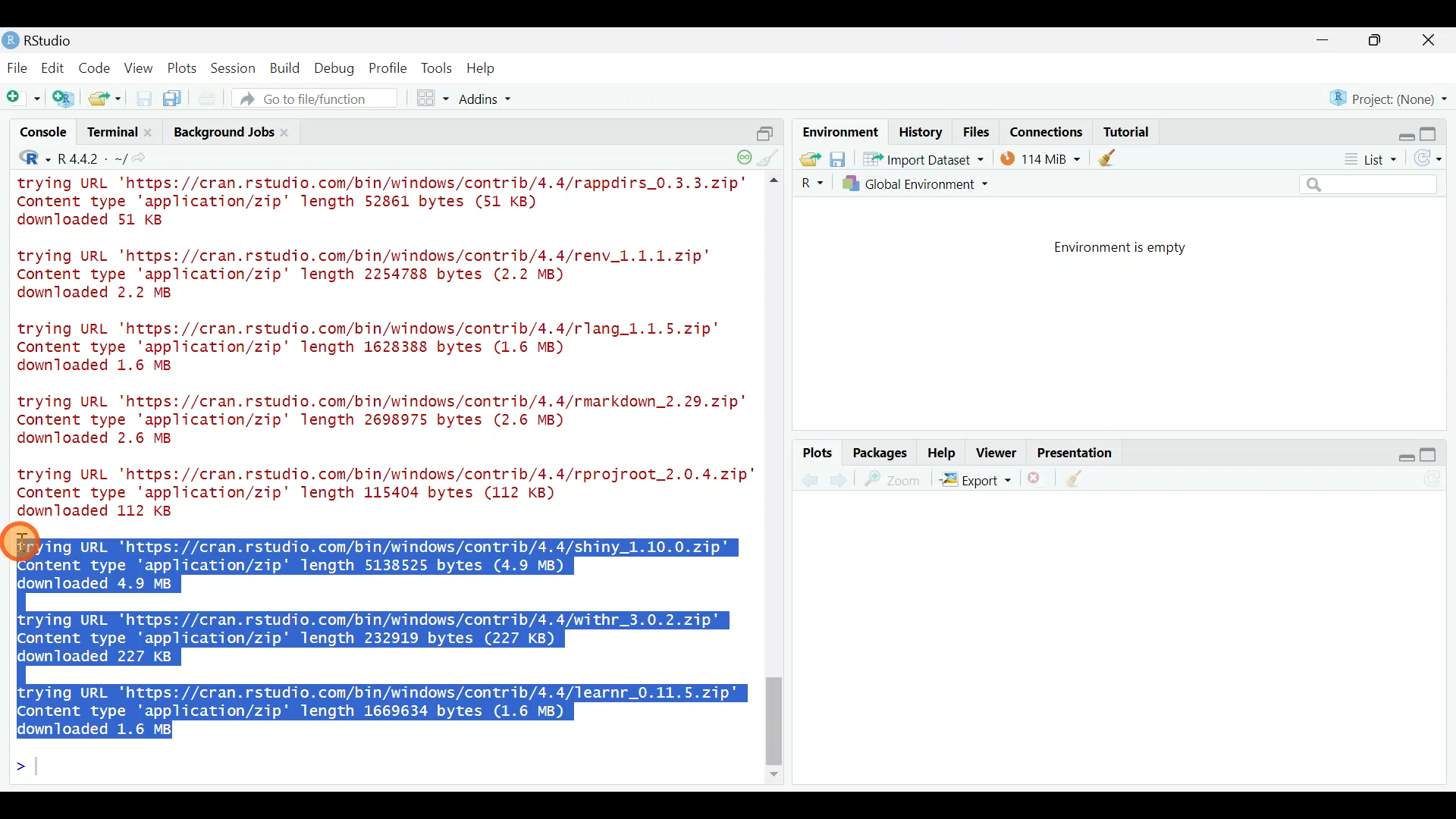 The height and width of the screenshot is (819, 1456). What do you see at coordinates (333, 69) in the screenshot?
I see `Debug` at bounding box center [333, 69].